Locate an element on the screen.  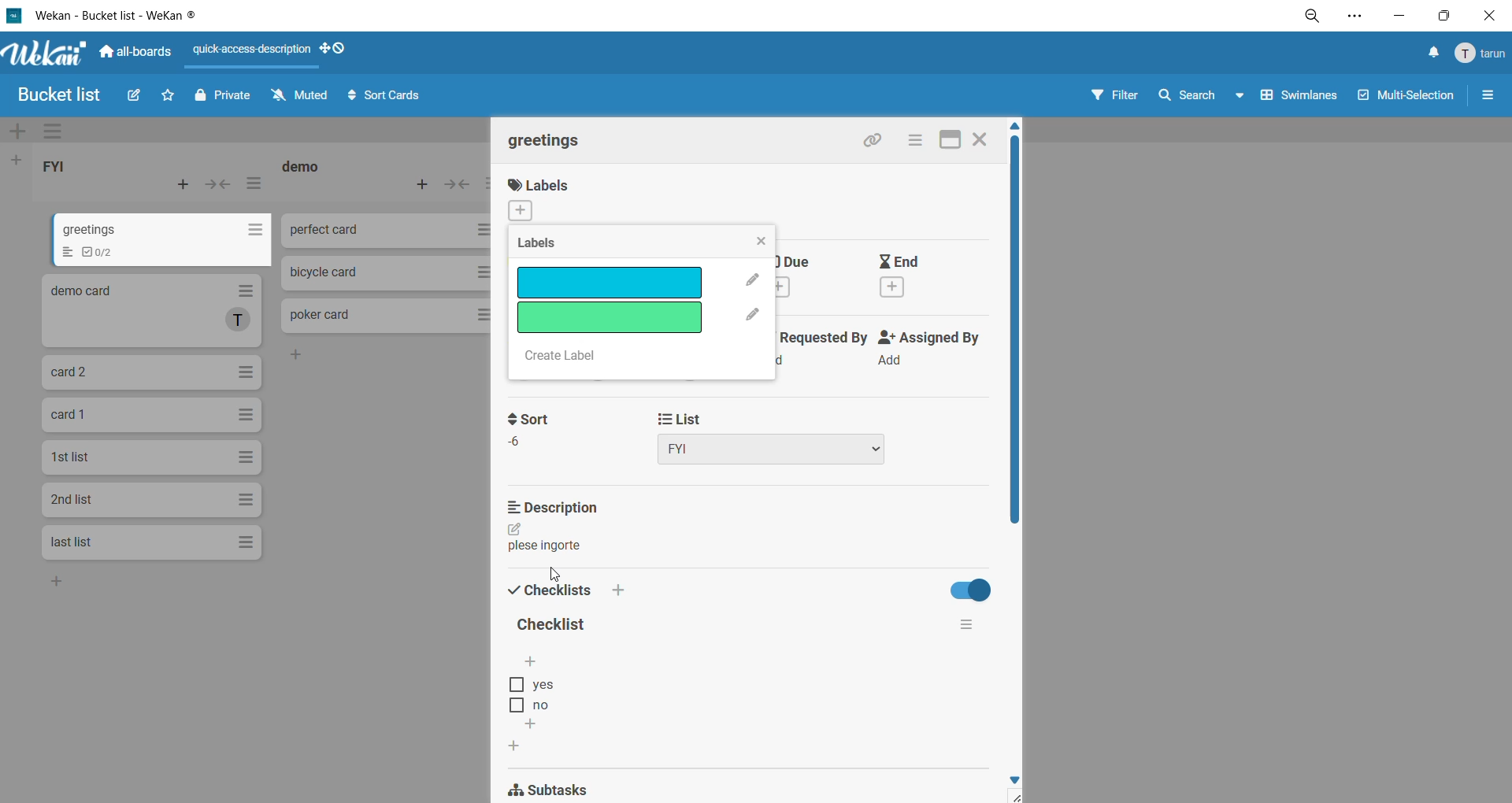
star is located at coordinates (170, 96).